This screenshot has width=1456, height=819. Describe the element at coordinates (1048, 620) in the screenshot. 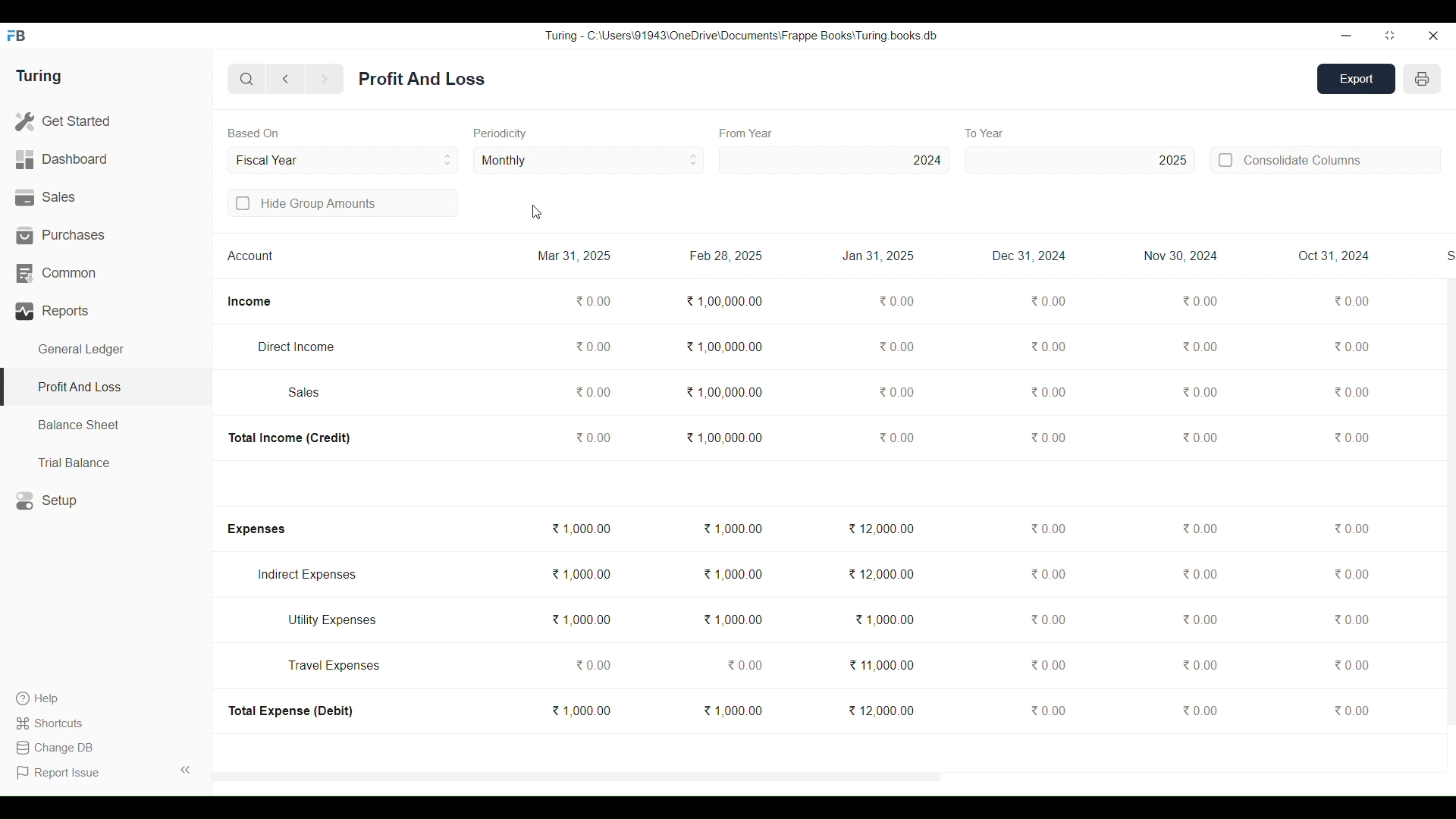

I see `0.00` at that location.